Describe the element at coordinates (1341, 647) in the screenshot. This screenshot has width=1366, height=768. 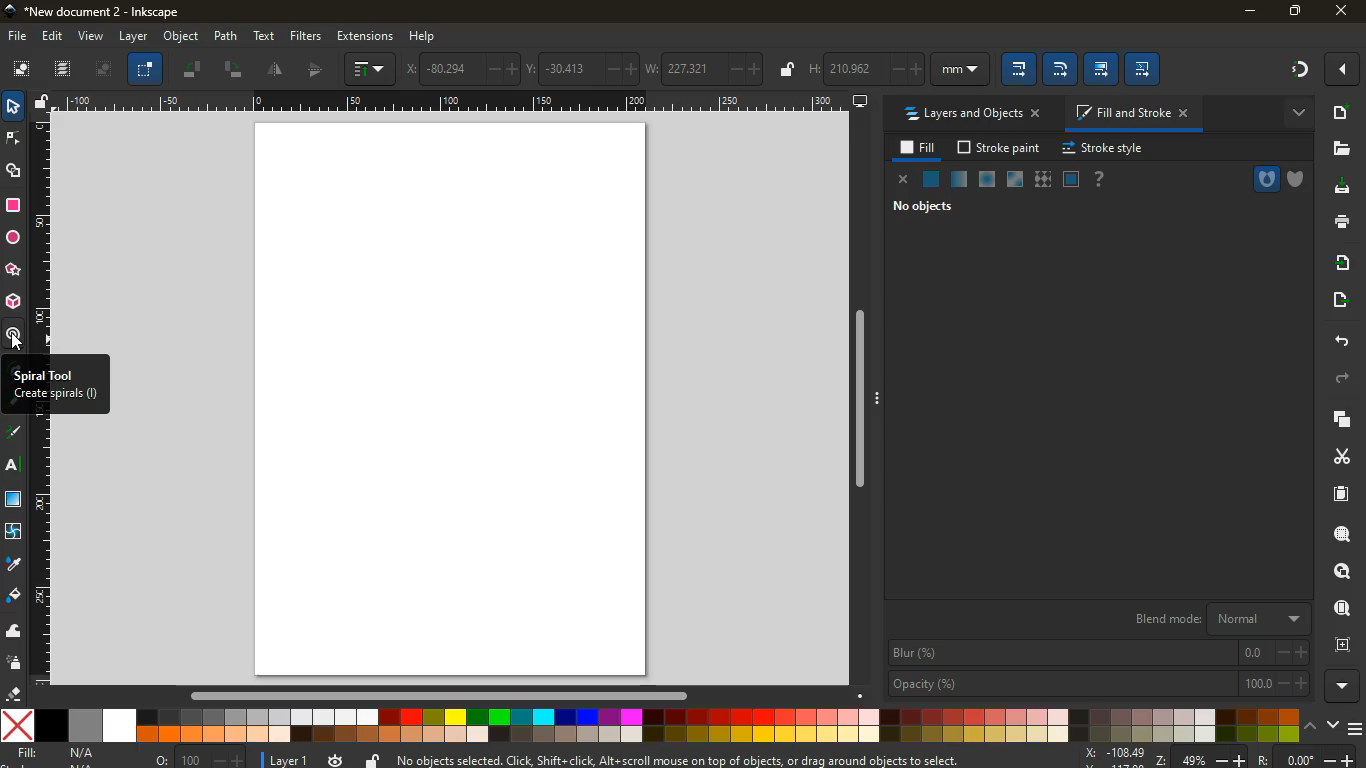
I see `frame` at that location.